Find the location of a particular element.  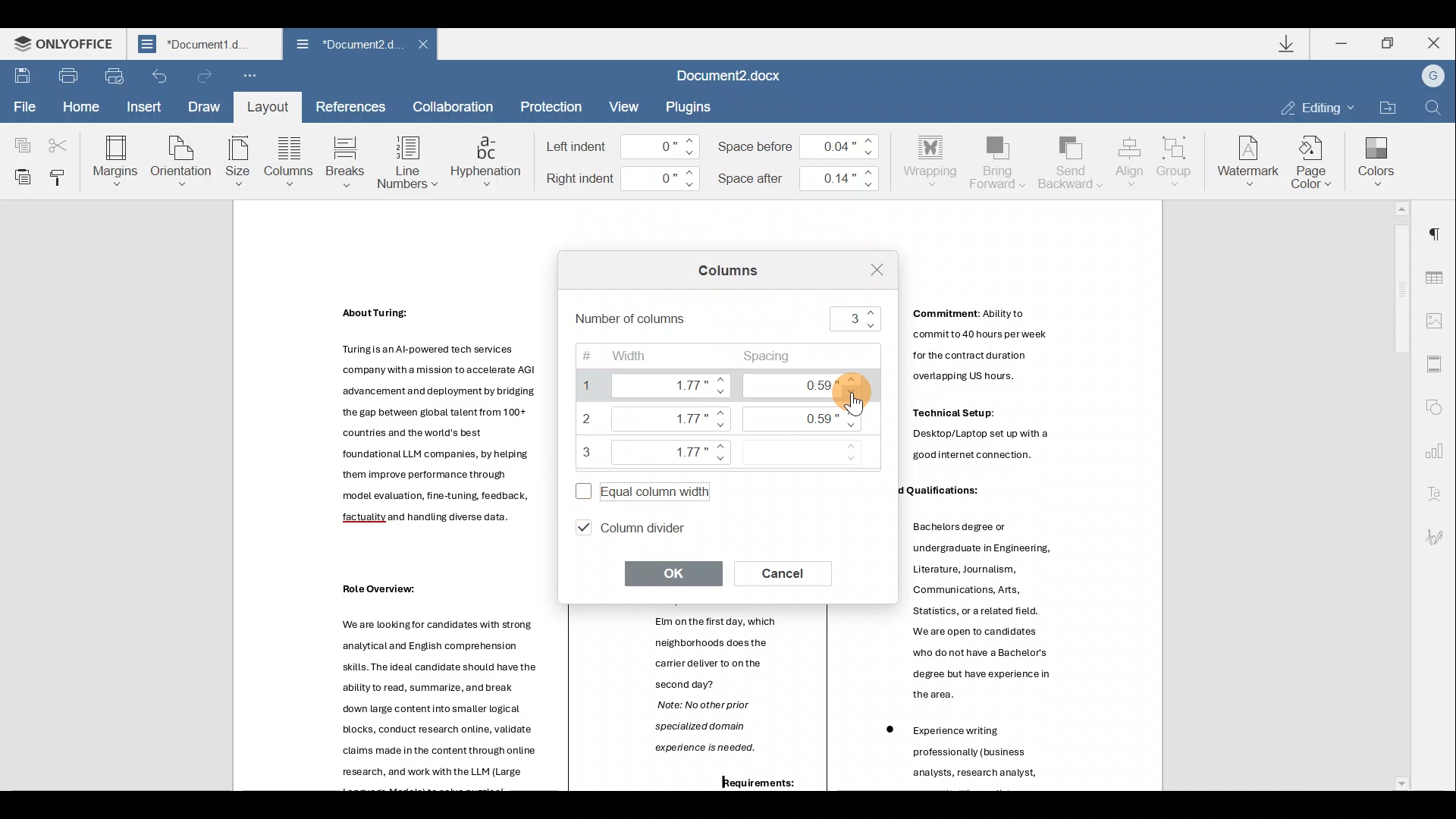

Home is located at coordinates (80, 105).